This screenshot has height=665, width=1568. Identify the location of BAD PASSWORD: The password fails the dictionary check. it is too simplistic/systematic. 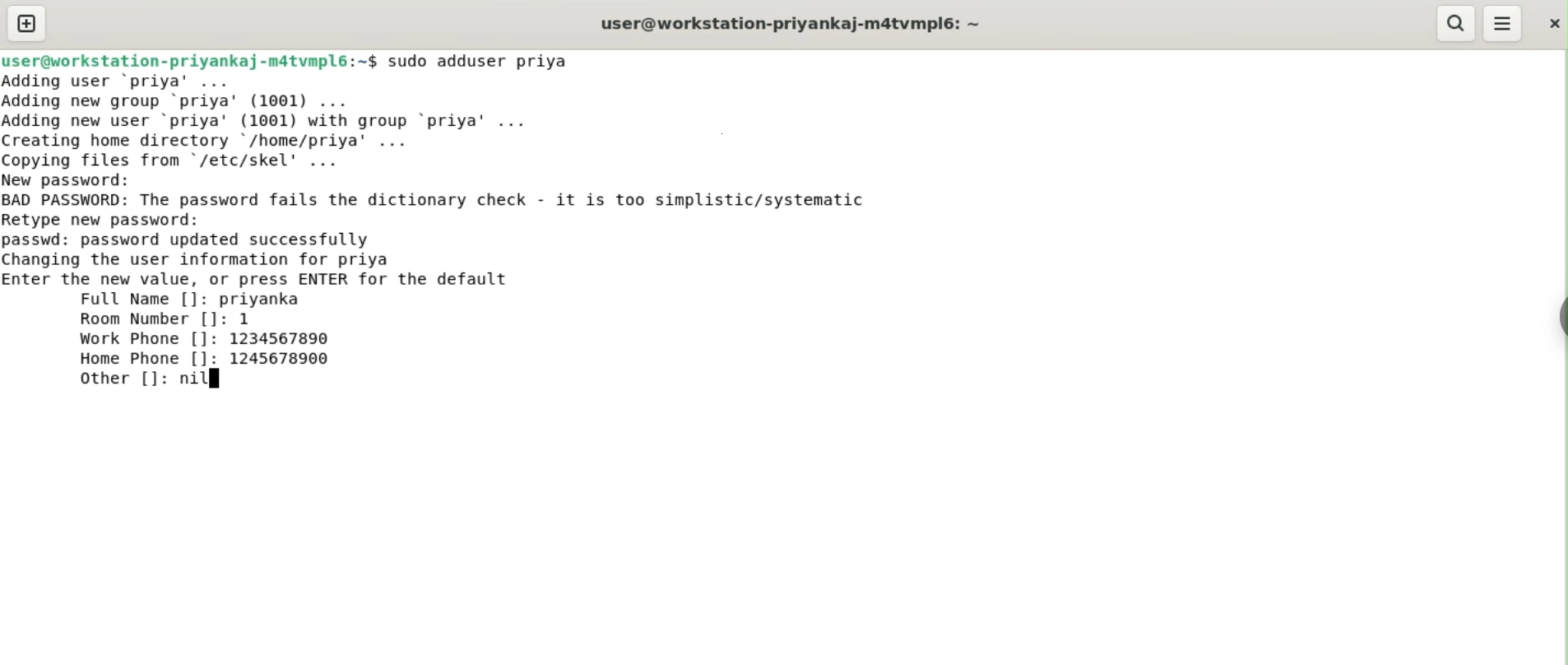
(464, 201).